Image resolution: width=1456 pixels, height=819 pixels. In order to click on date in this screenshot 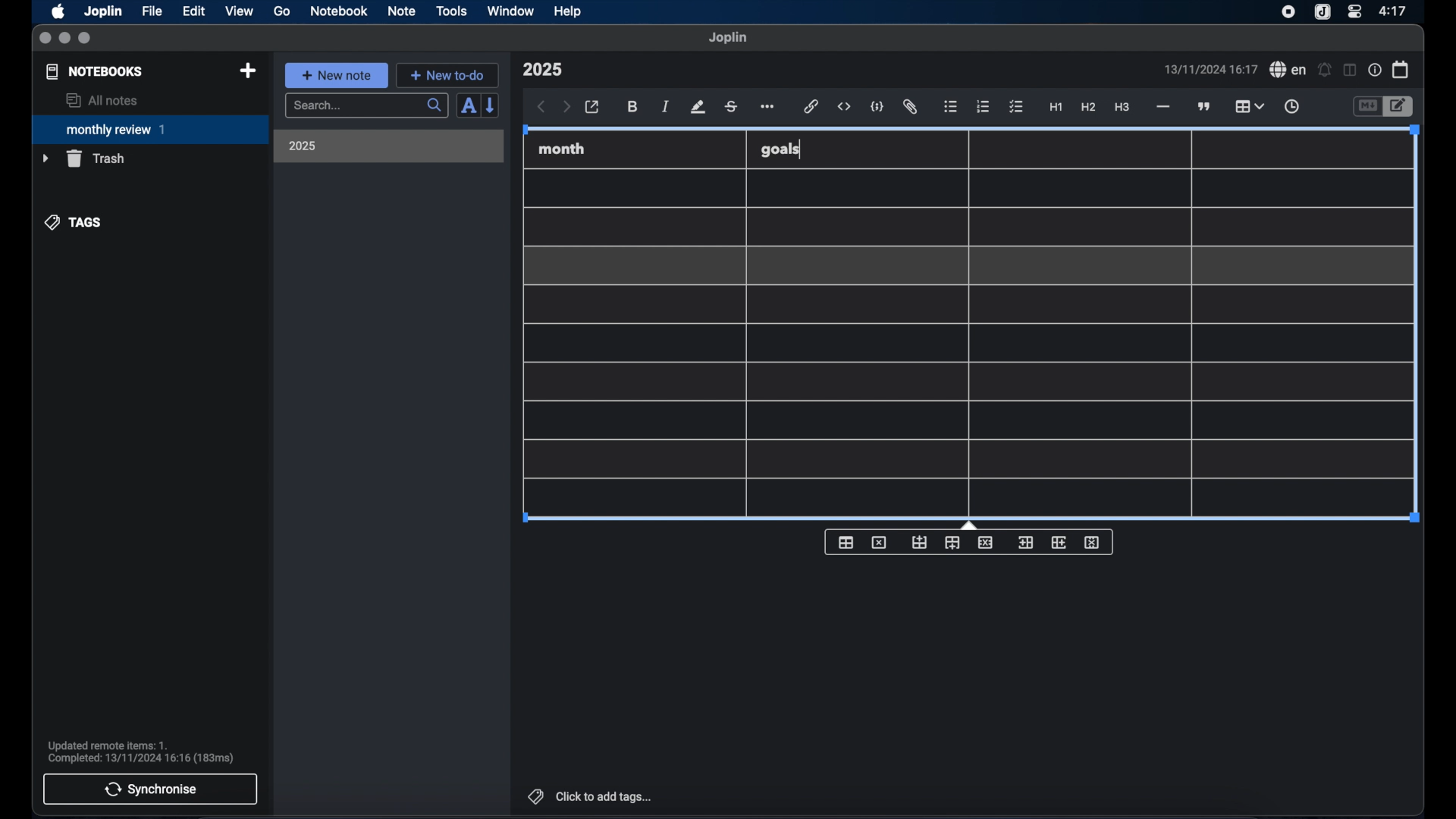, I will do `click(1210, 69)`.